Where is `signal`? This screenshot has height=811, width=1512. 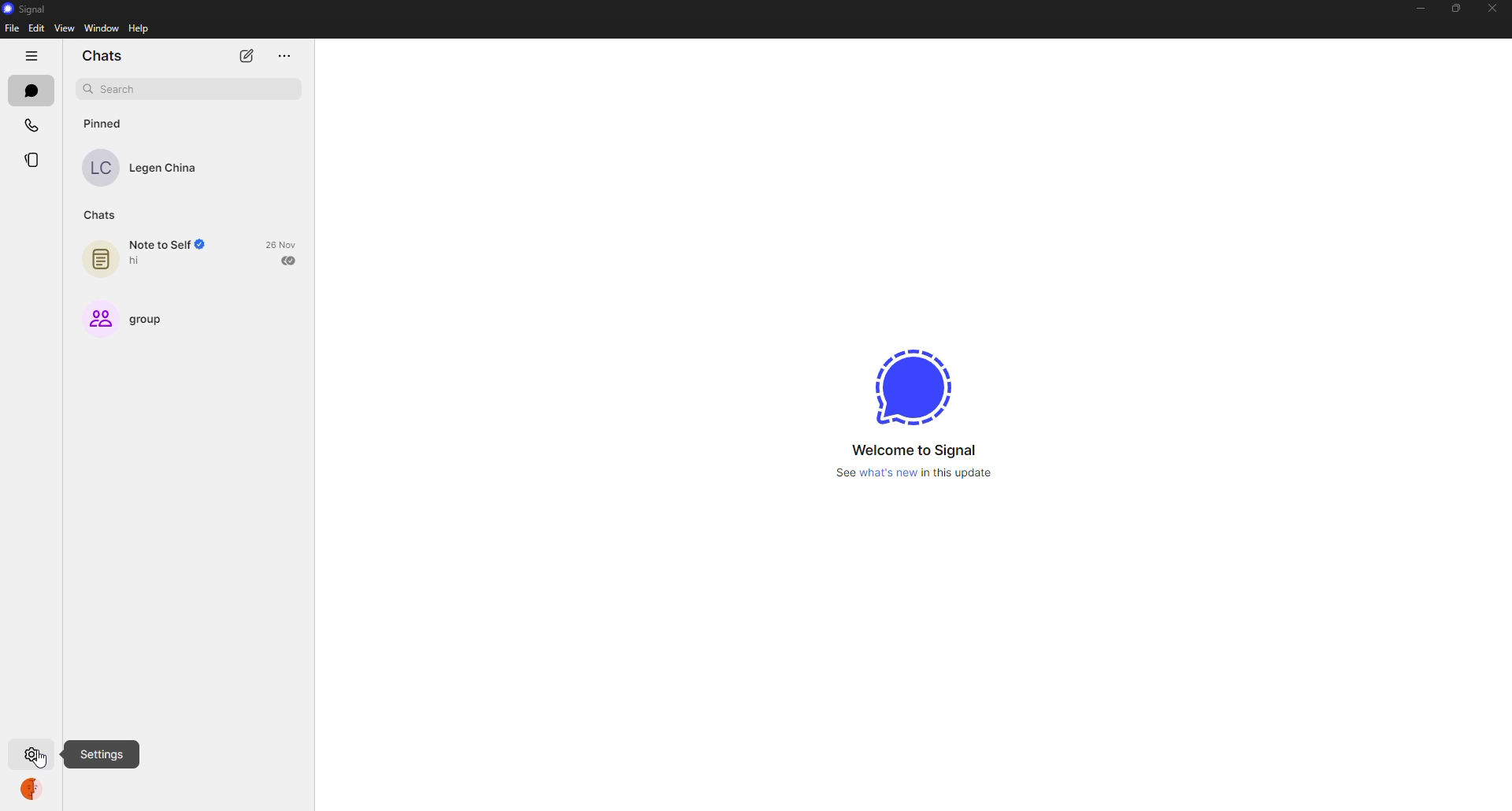
signal is located at coordinates (910, 387).